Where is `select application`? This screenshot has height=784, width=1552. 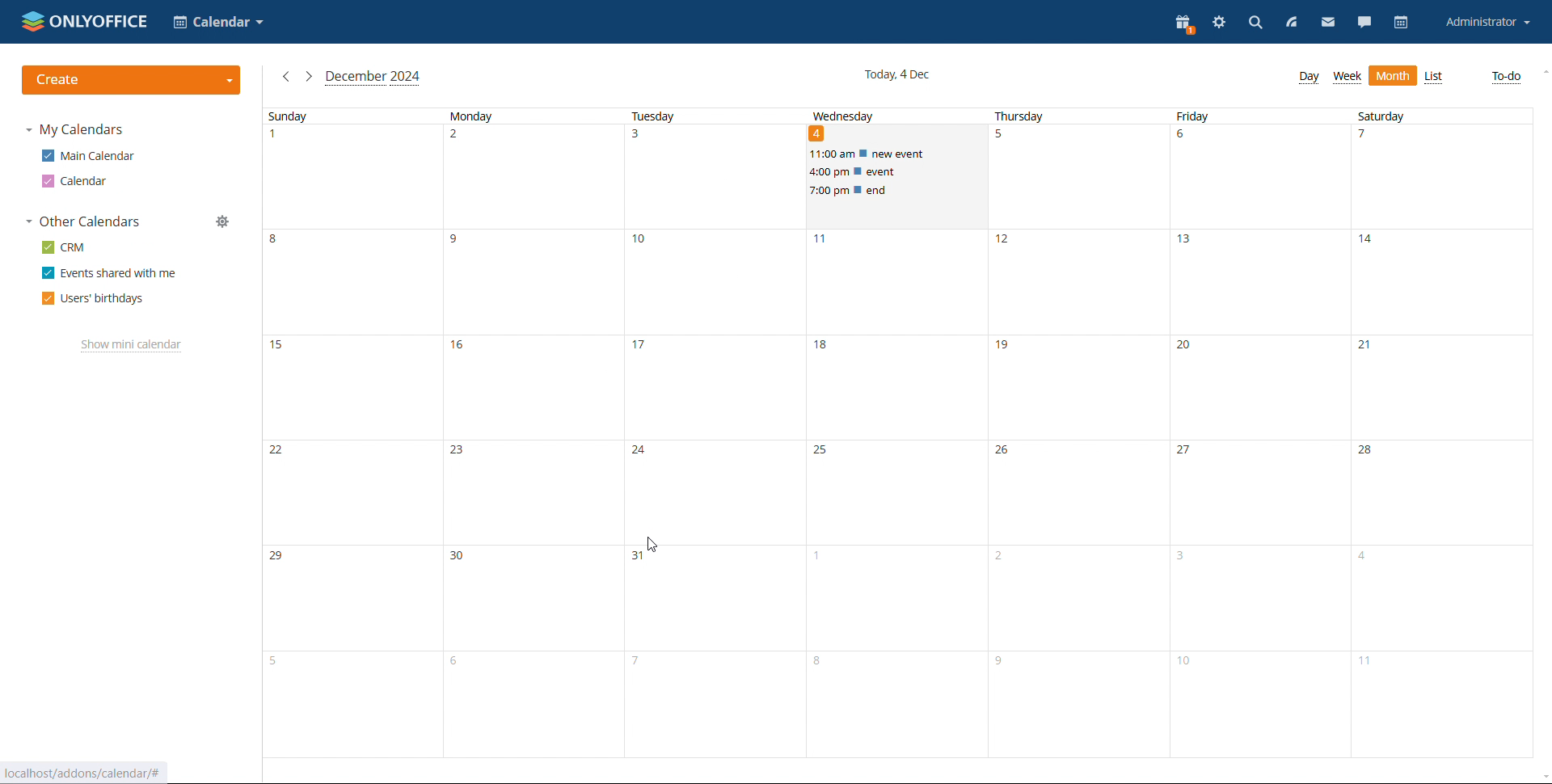 select application is located at coordinates (217, 22).